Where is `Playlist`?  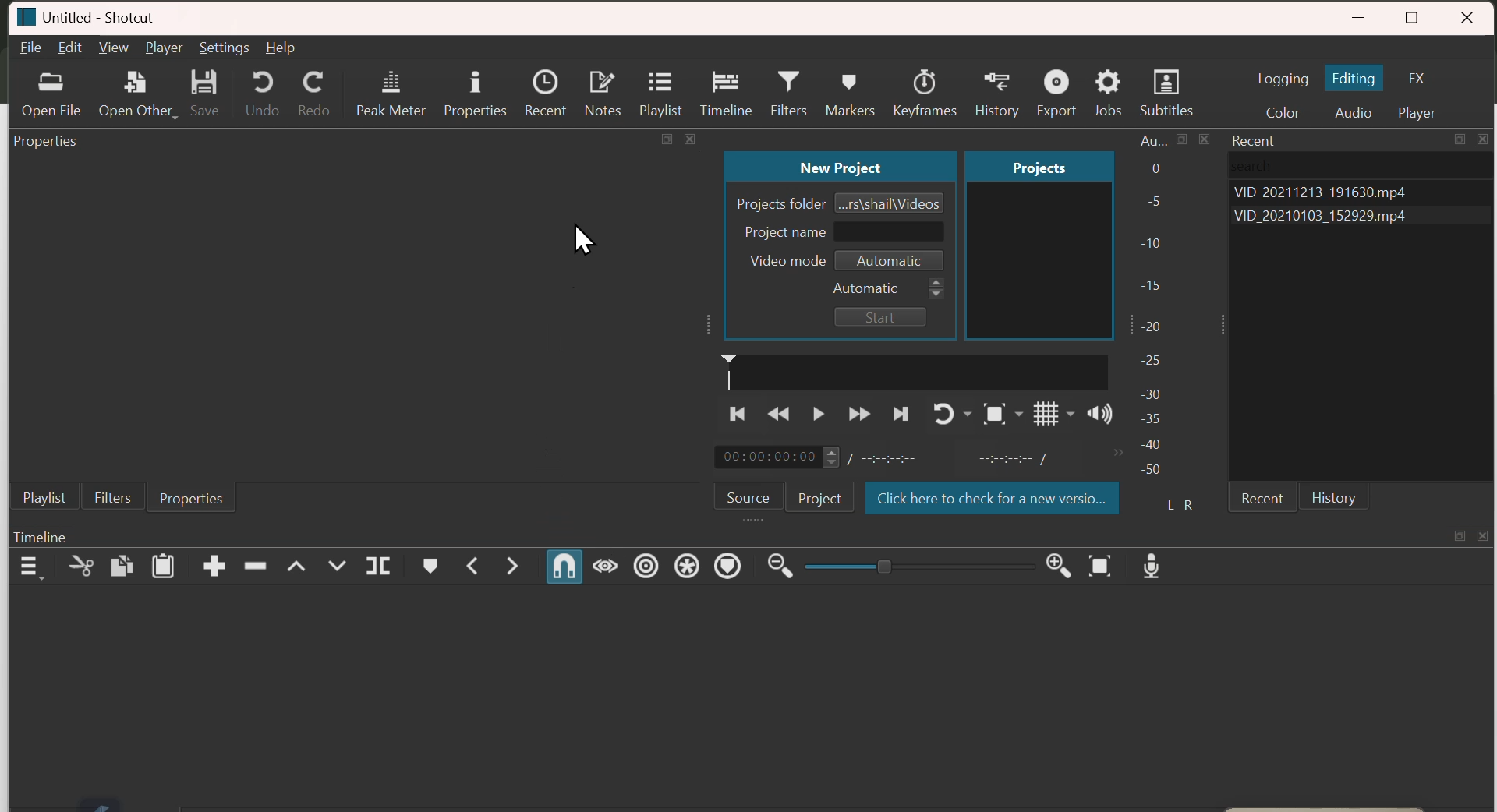 Playlist is located at coordinates (44, 496).